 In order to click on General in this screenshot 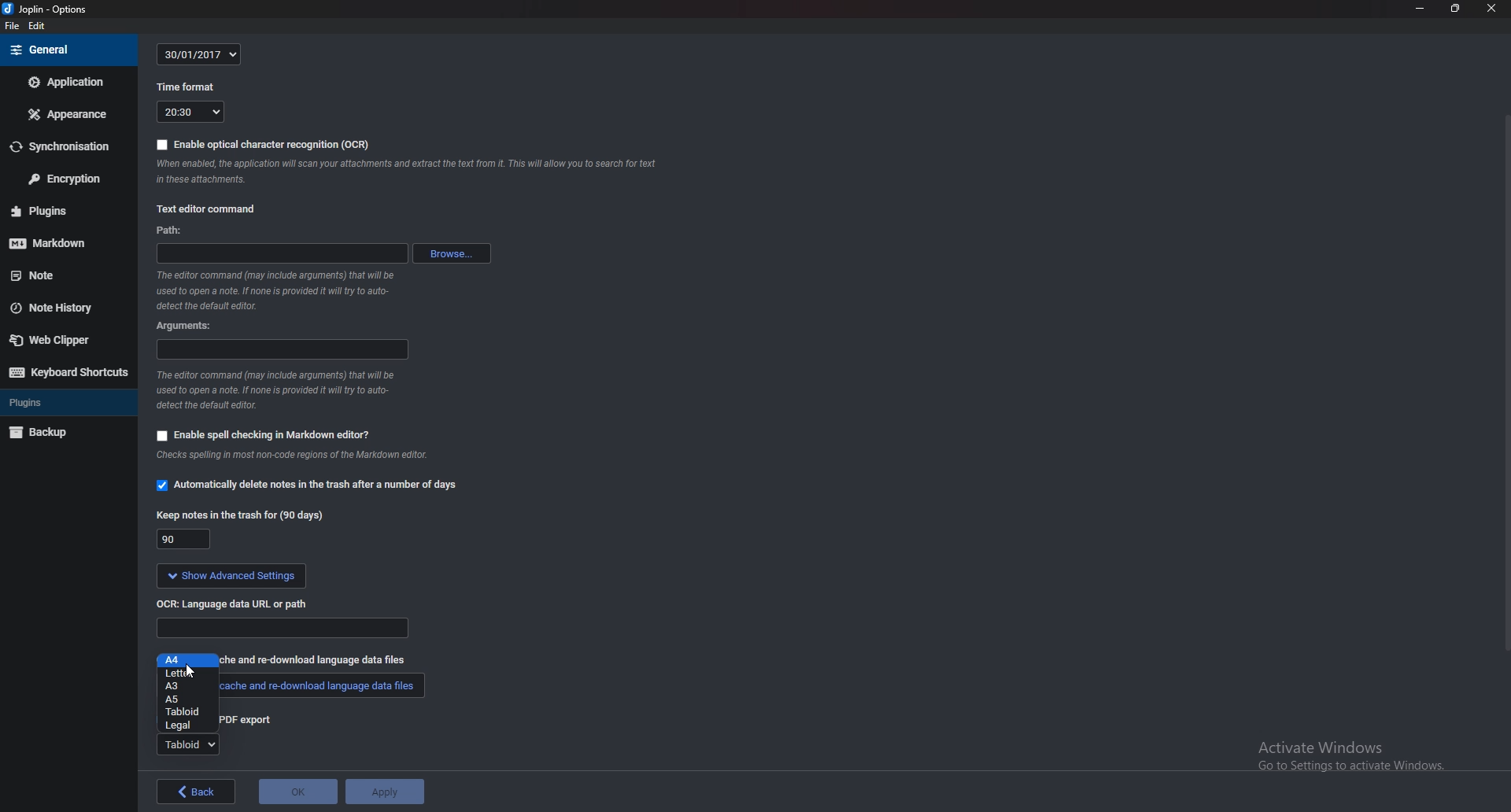, I will do `click(66, 51)`.